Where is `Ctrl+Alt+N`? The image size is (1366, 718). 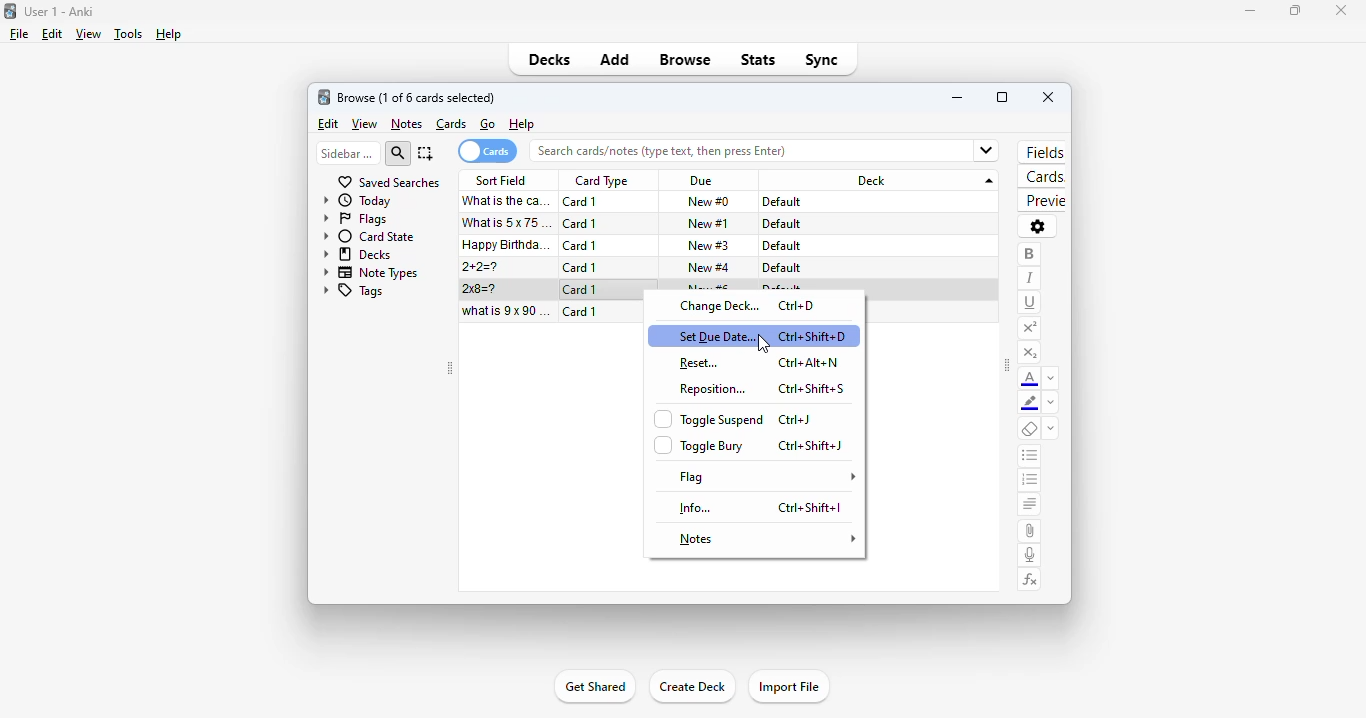 Ctrl+Alt+N is located at coordinates (809, 362).